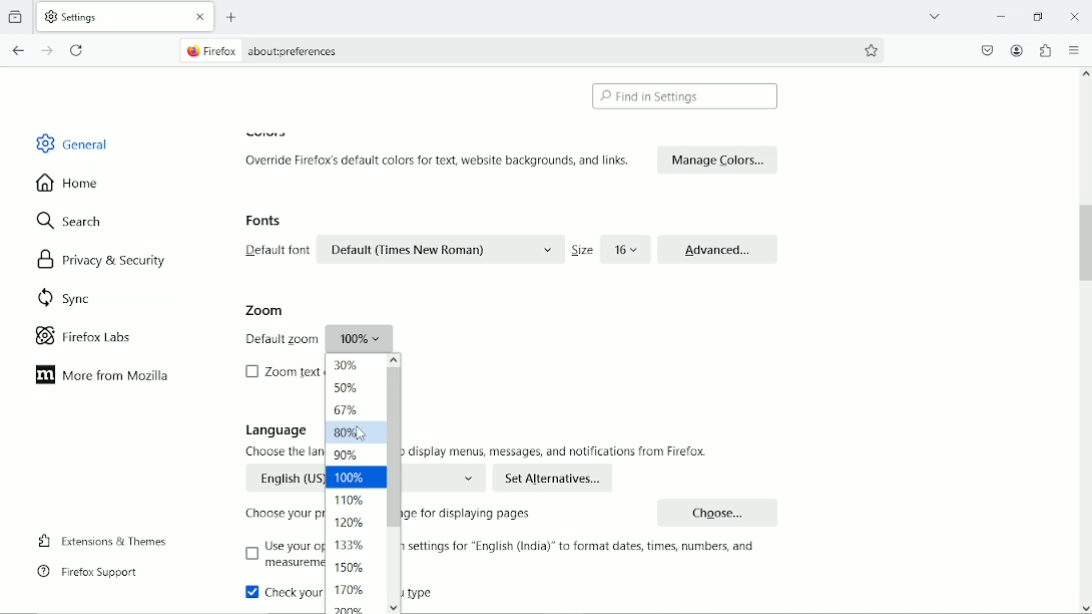 The height and width of the screenshot is (614, 1092). I want to click on Scroll Down, so click(1085, 608).